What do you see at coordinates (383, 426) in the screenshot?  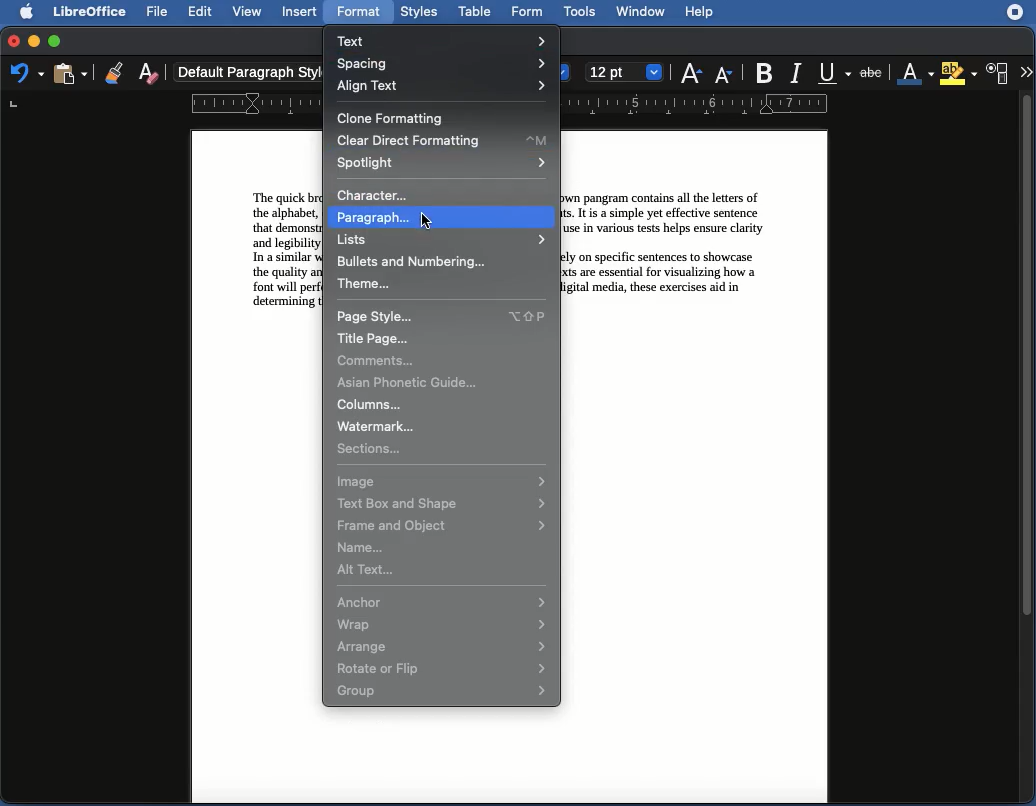 I see `Watermark` at bounding box center [383, 426].